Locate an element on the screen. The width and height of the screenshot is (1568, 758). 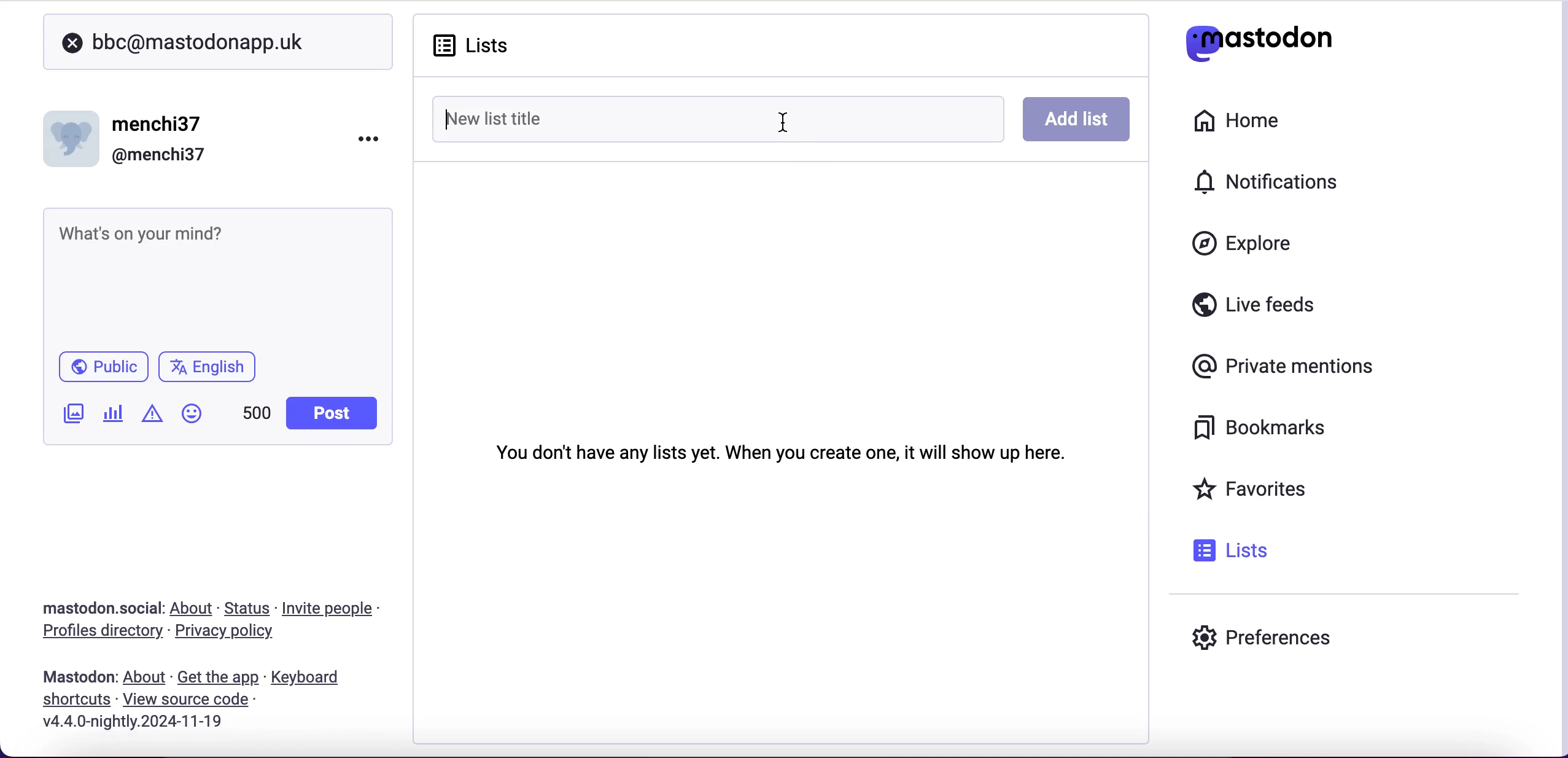
invite people is located at coordinates (334, 609).